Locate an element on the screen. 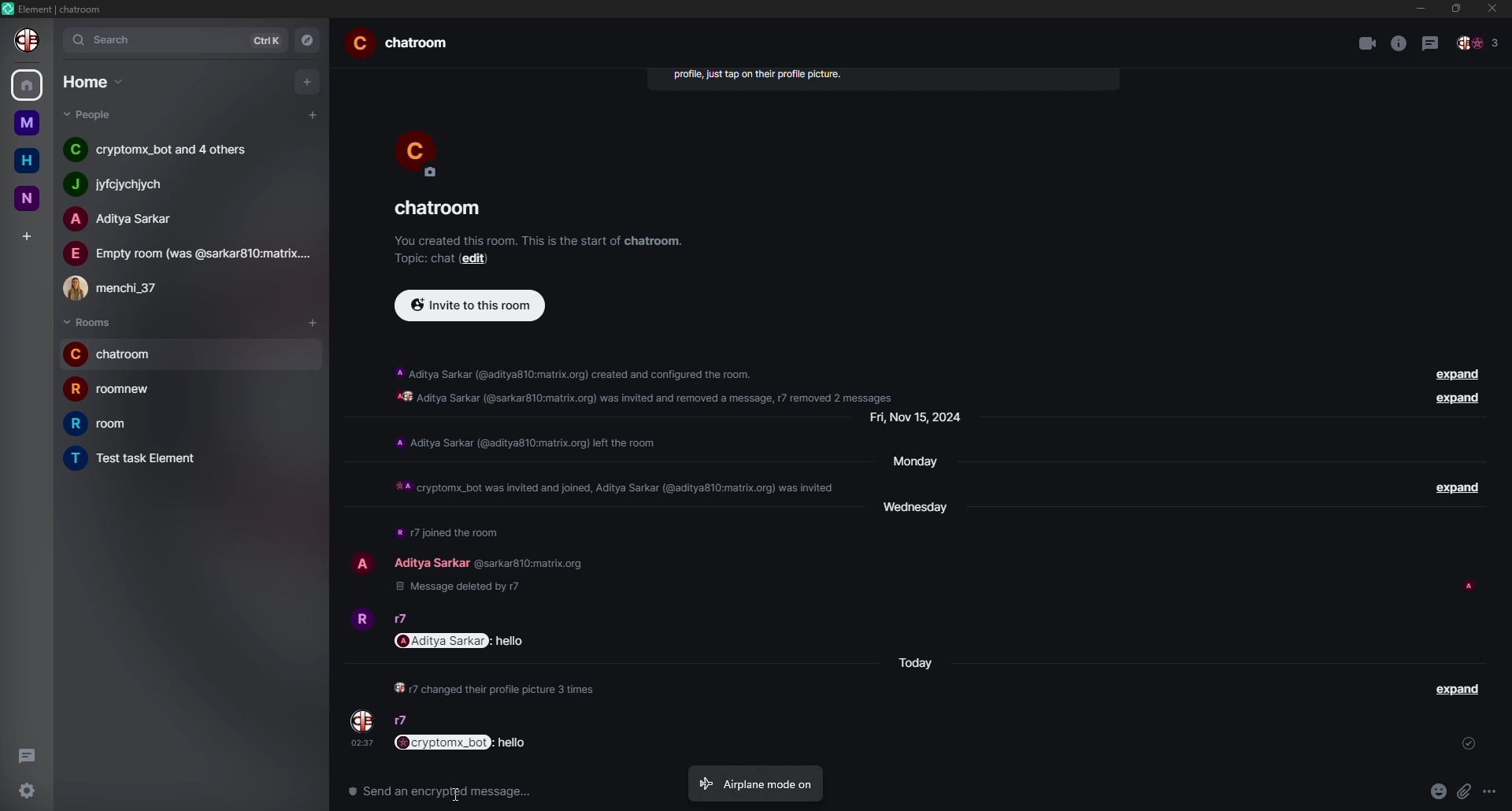 This screenshot has height=811, width=1512. ctrlK is located at coordinates (270, 39).